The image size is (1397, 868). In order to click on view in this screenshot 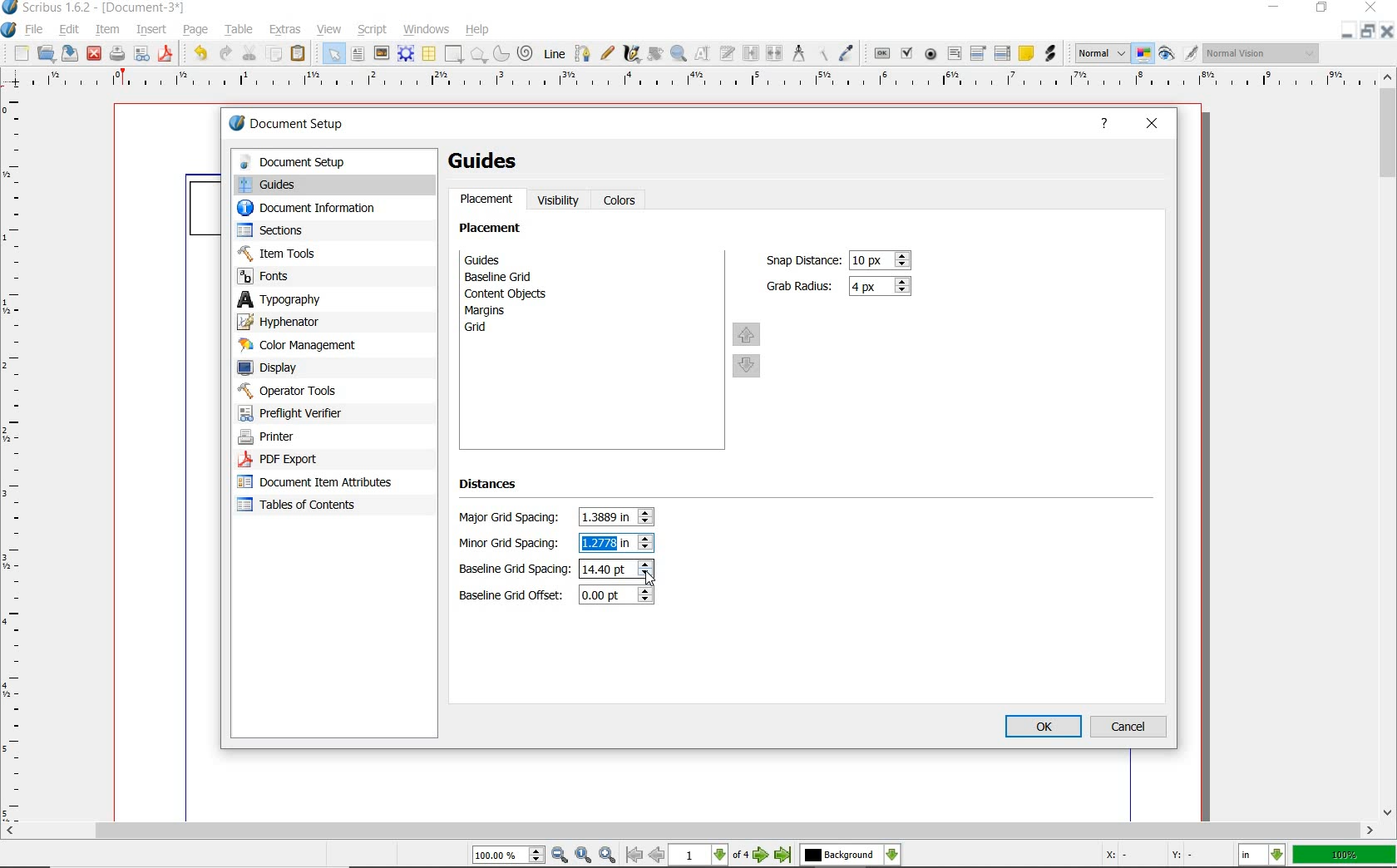, I will do `click(329, 31)`.